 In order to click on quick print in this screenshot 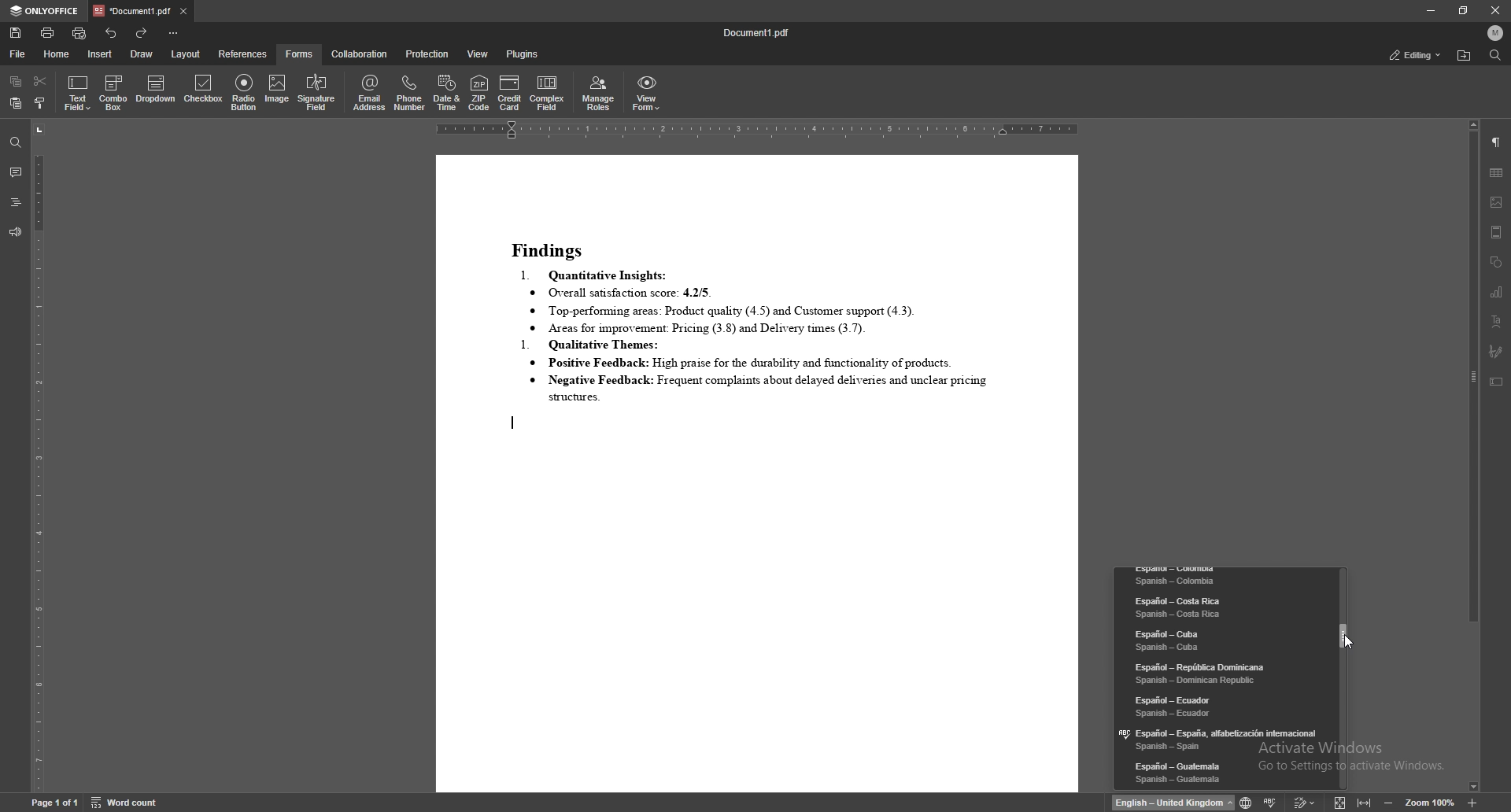, I will do `click(80, 33)`.